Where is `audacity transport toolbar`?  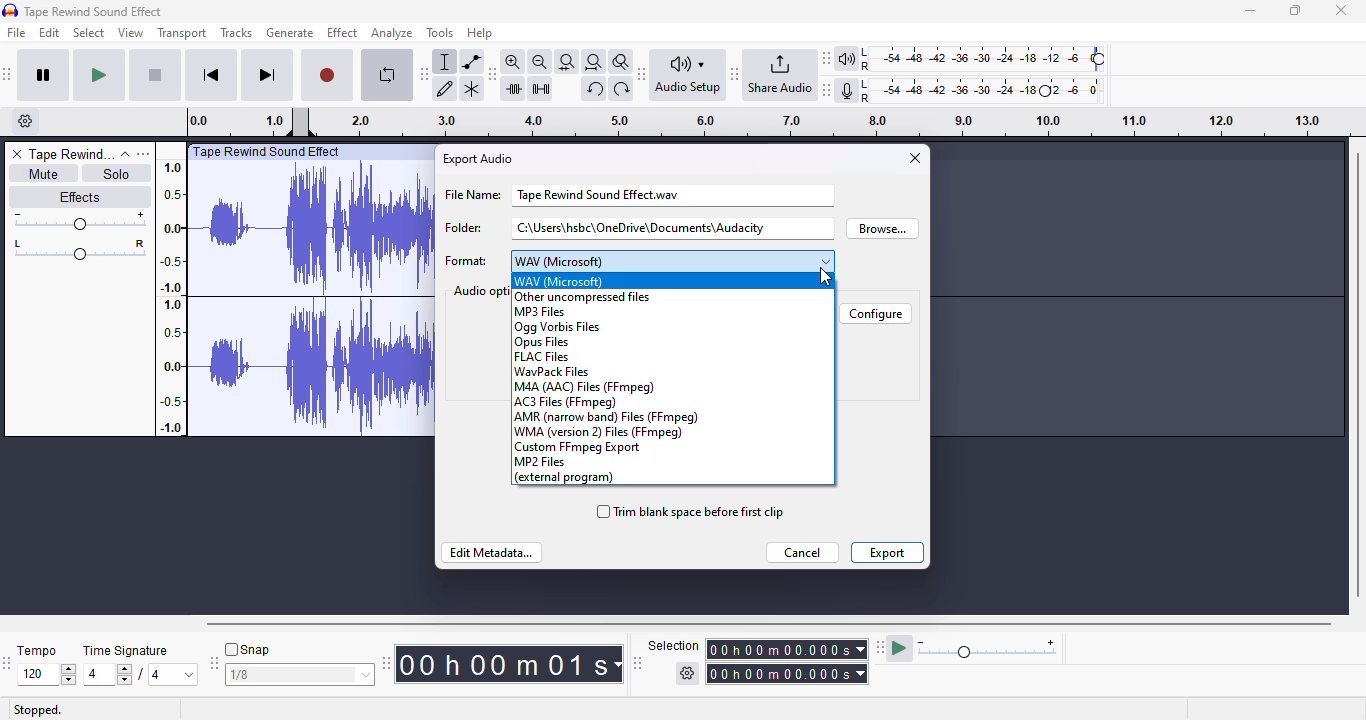 audacity transport toolbar is located at coordinates (8, 74).